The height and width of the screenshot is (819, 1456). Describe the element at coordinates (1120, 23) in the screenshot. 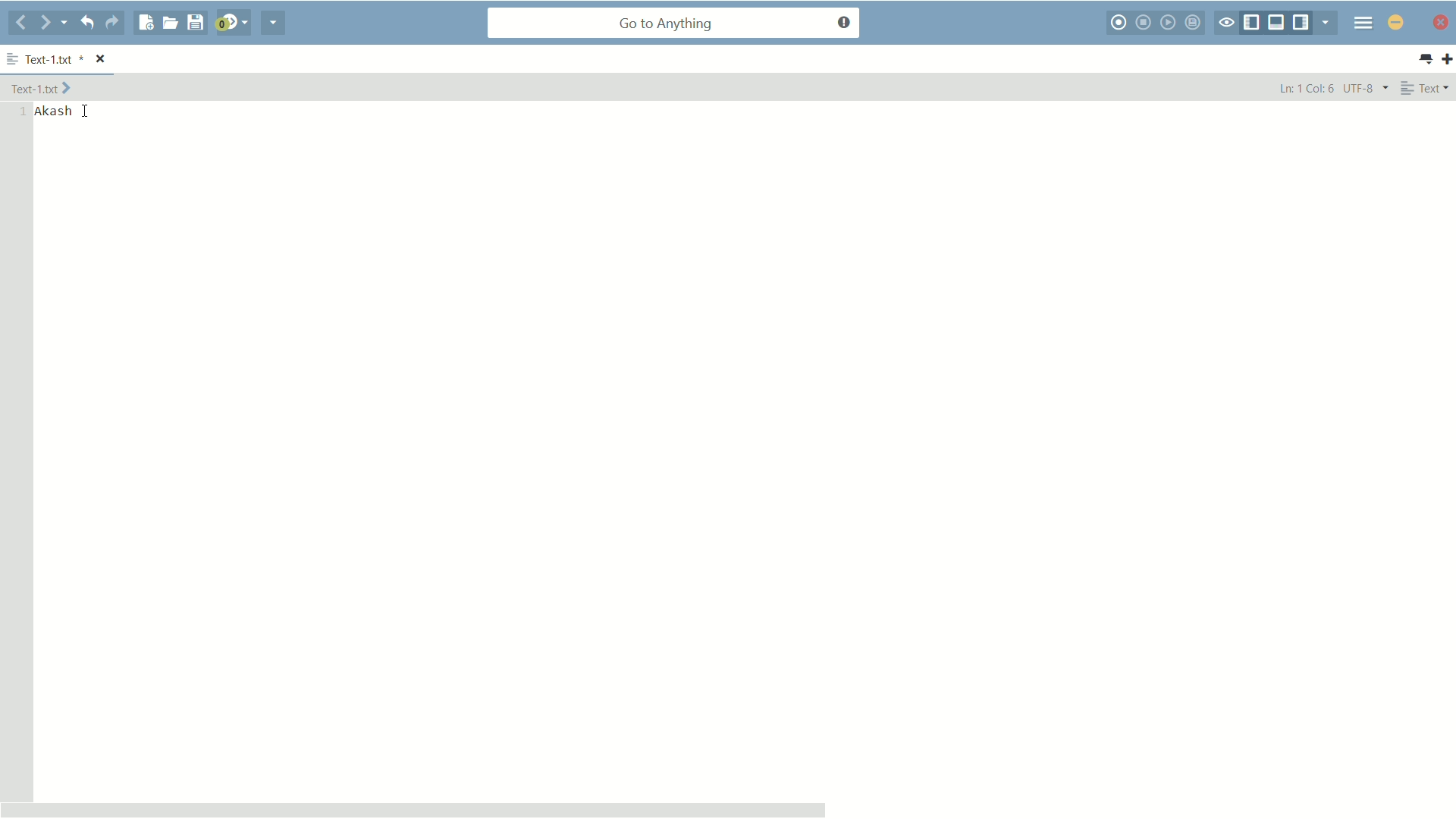

I see `record macro` at that location.